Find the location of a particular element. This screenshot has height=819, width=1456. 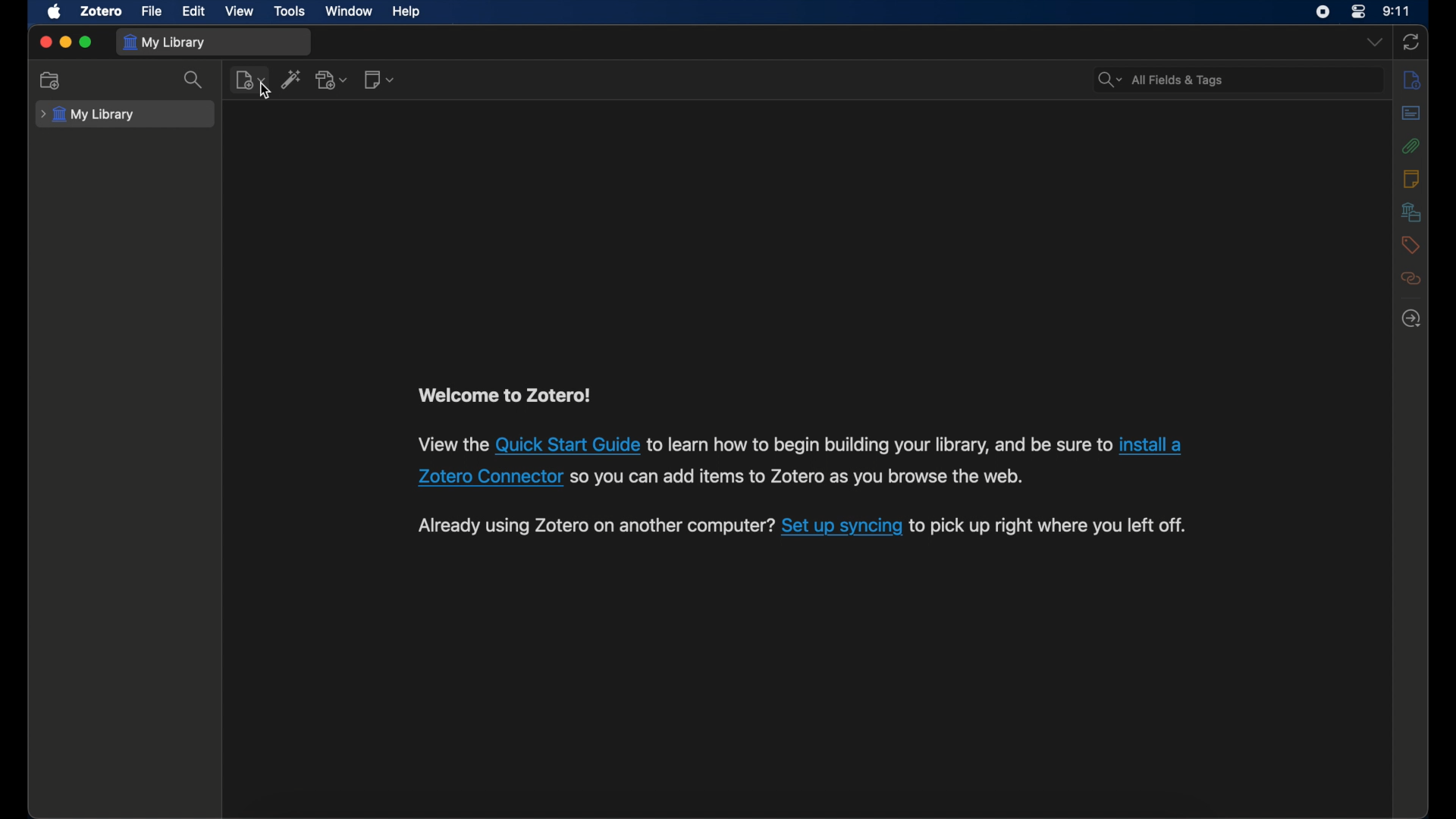

screen recorder is located at coordinates (1323, 12).